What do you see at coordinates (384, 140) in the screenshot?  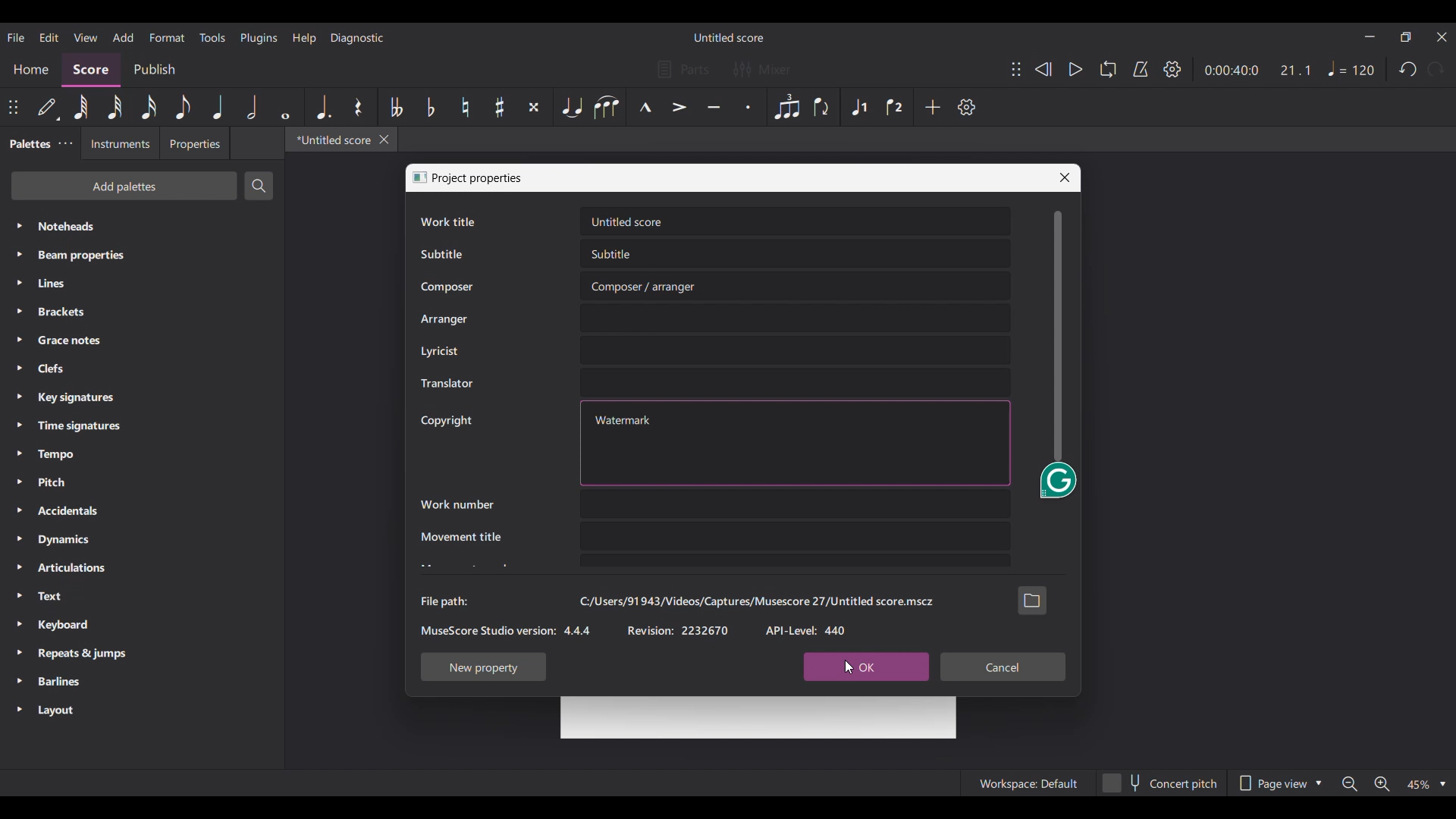 I see `Close tab` at bounding box center [384, 140].